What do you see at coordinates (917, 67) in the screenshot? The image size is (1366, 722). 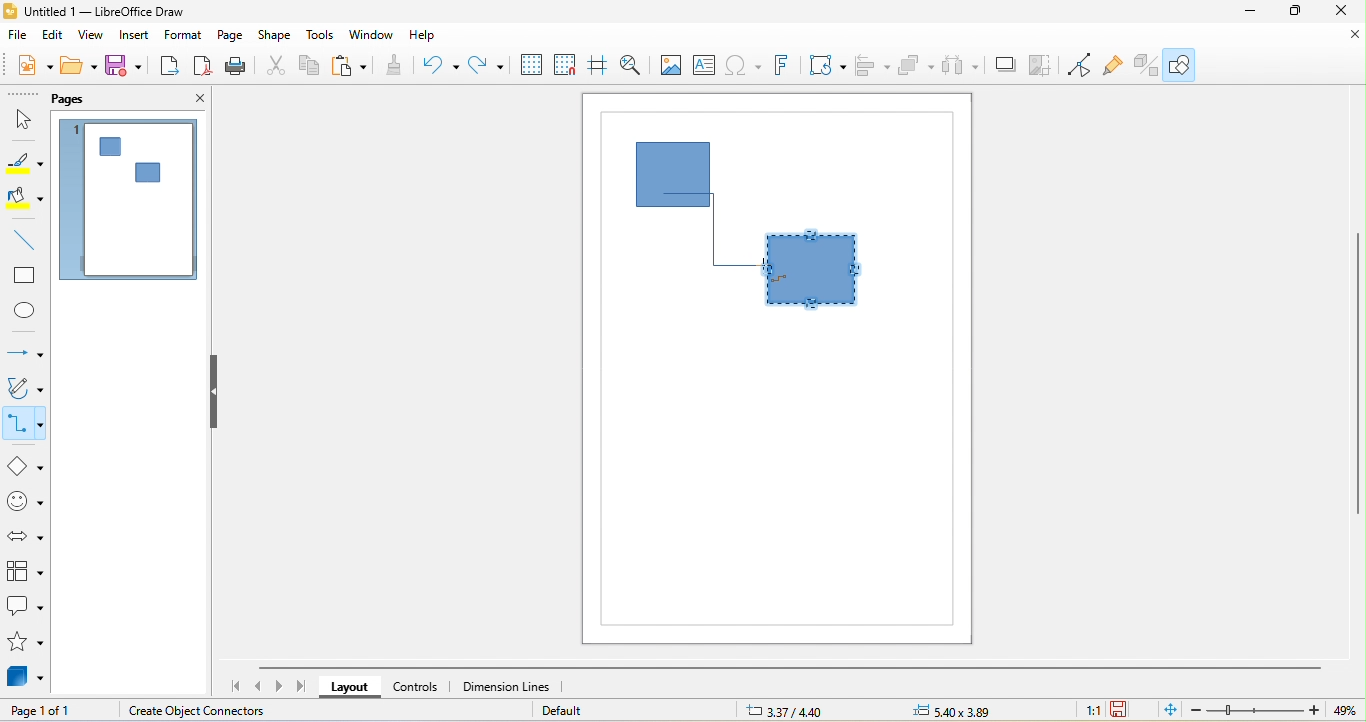 I see `arrange` at bounding box center [917, 67].